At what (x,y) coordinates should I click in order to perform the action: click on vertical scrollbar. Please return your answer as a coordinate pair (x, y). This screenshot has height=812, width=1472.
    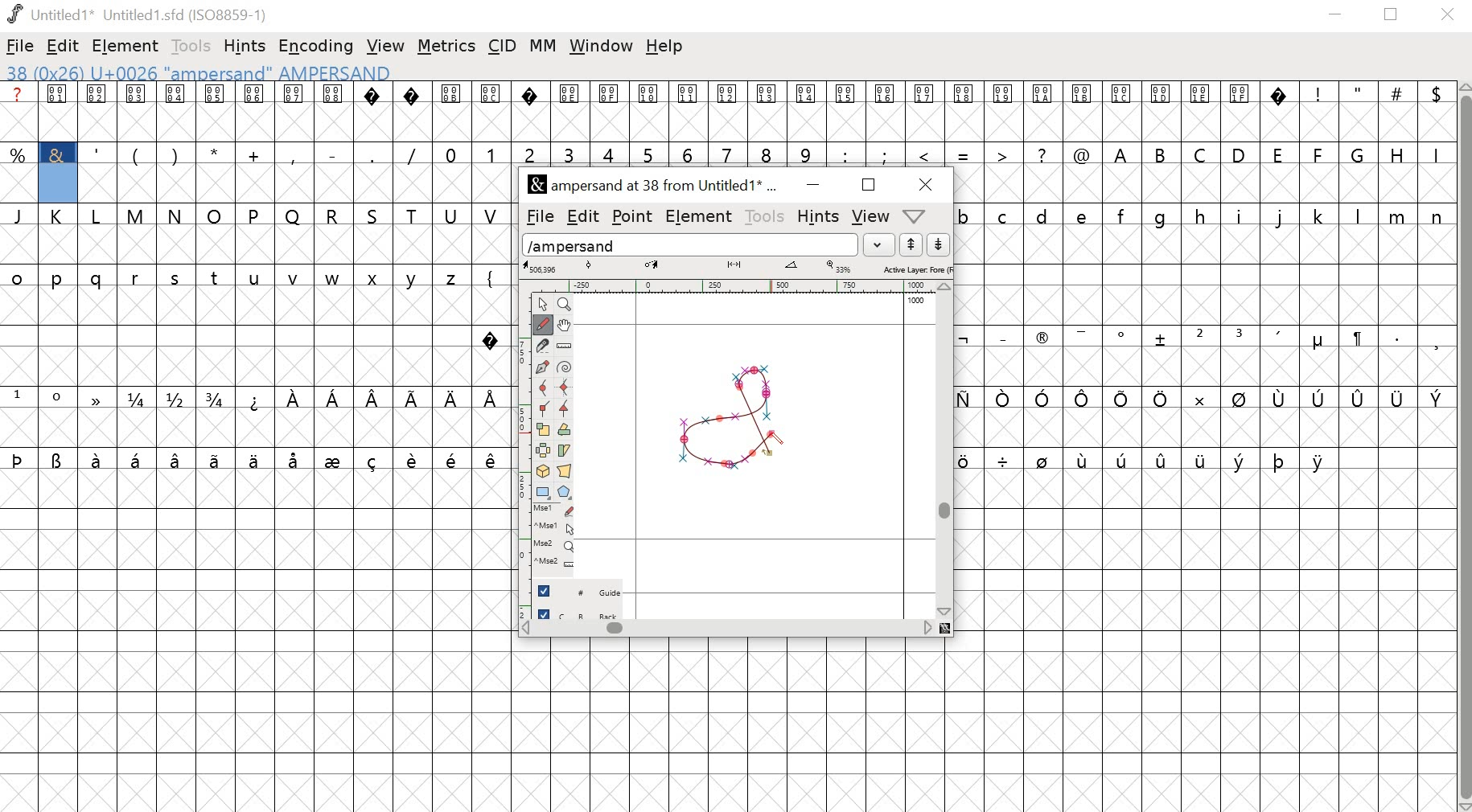
    Looking at the image, I should click on (1463, 446).